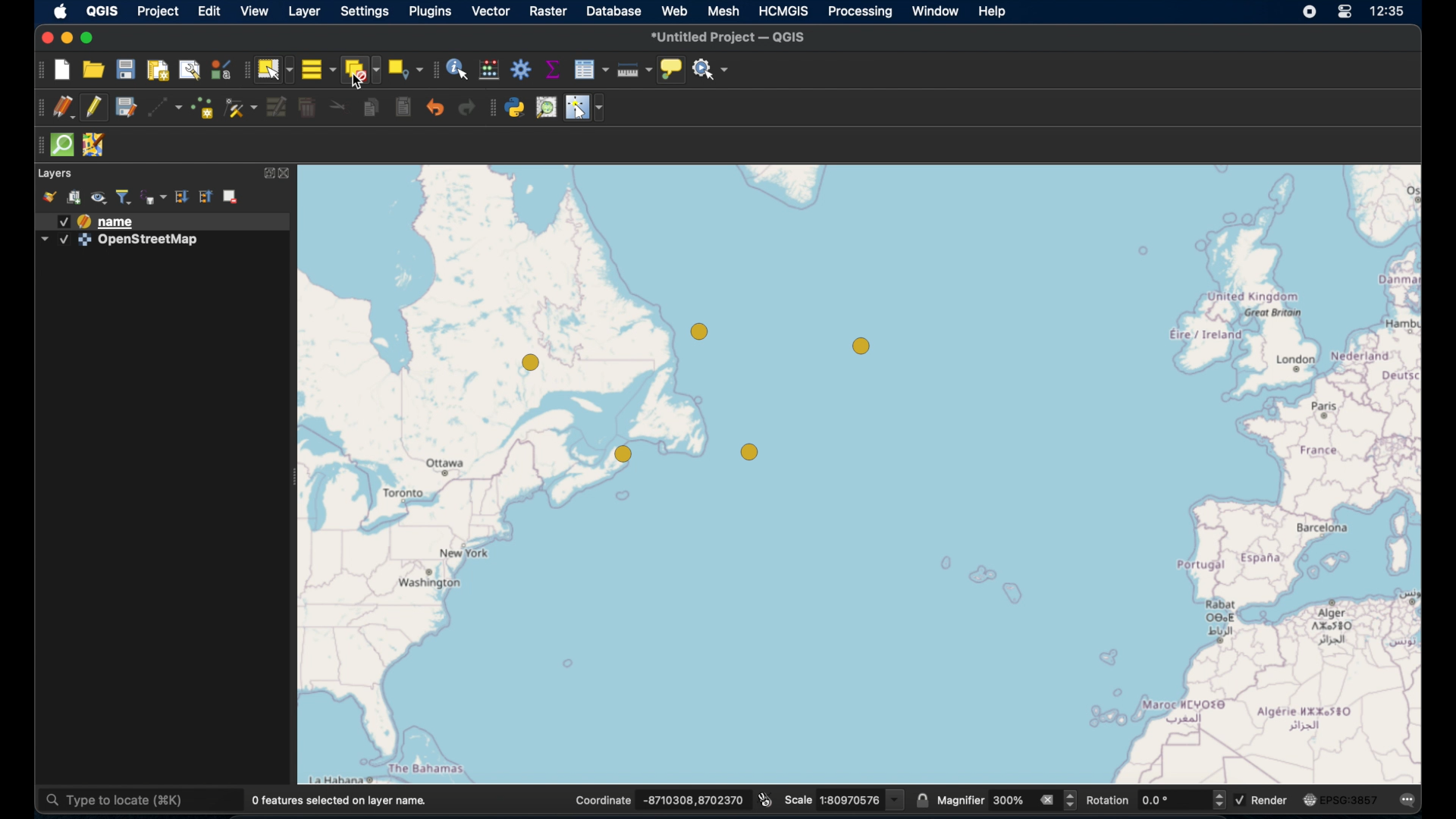 Image resolution: width=1456 pixels, height=819 pixels. Describe the element at coordinates (711, 70) in the screenshot. I see `no action selected` at that location.